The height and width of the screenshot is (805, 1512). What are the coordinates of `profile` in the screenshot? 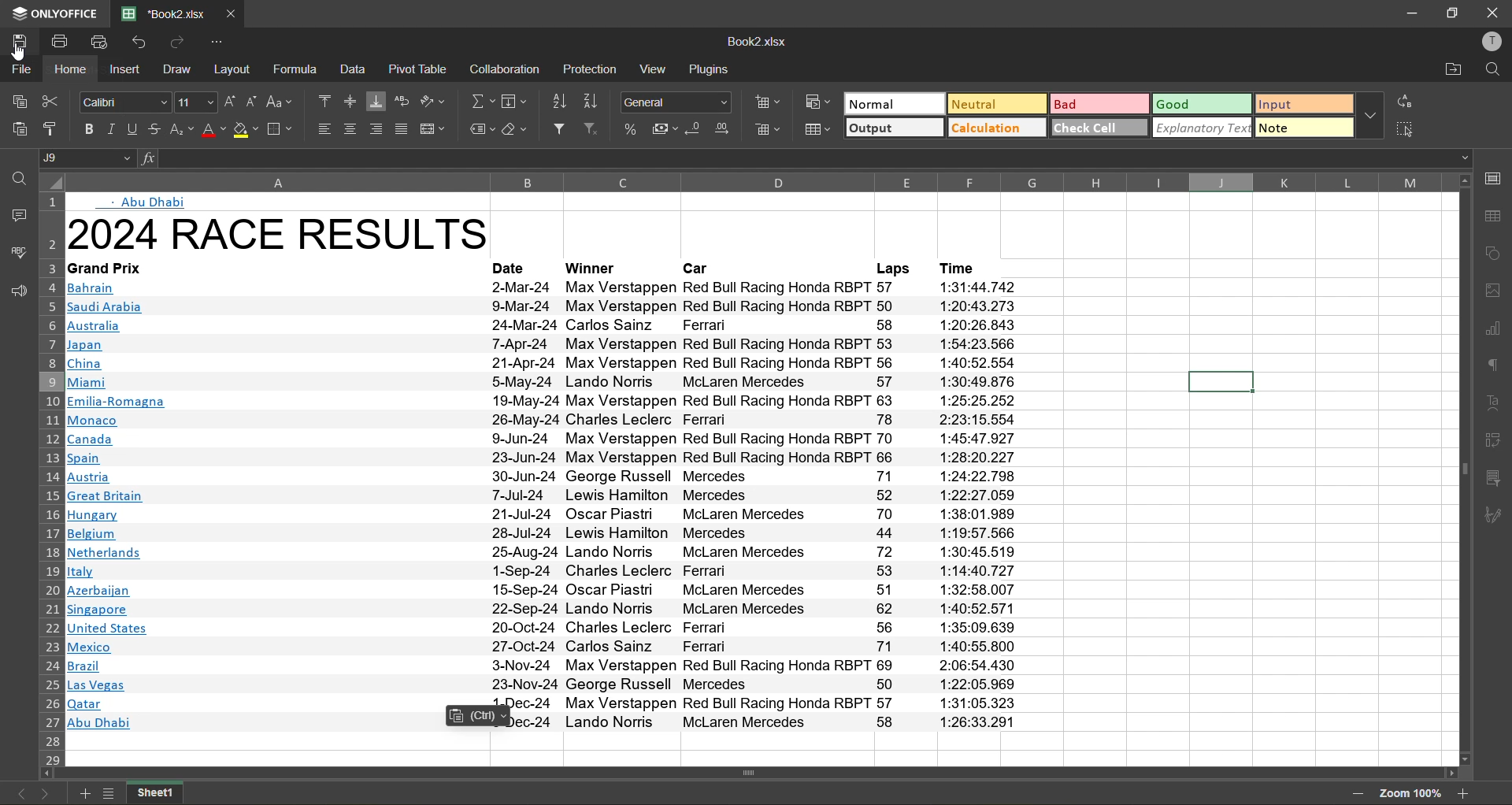 It's located at (1492, 39).